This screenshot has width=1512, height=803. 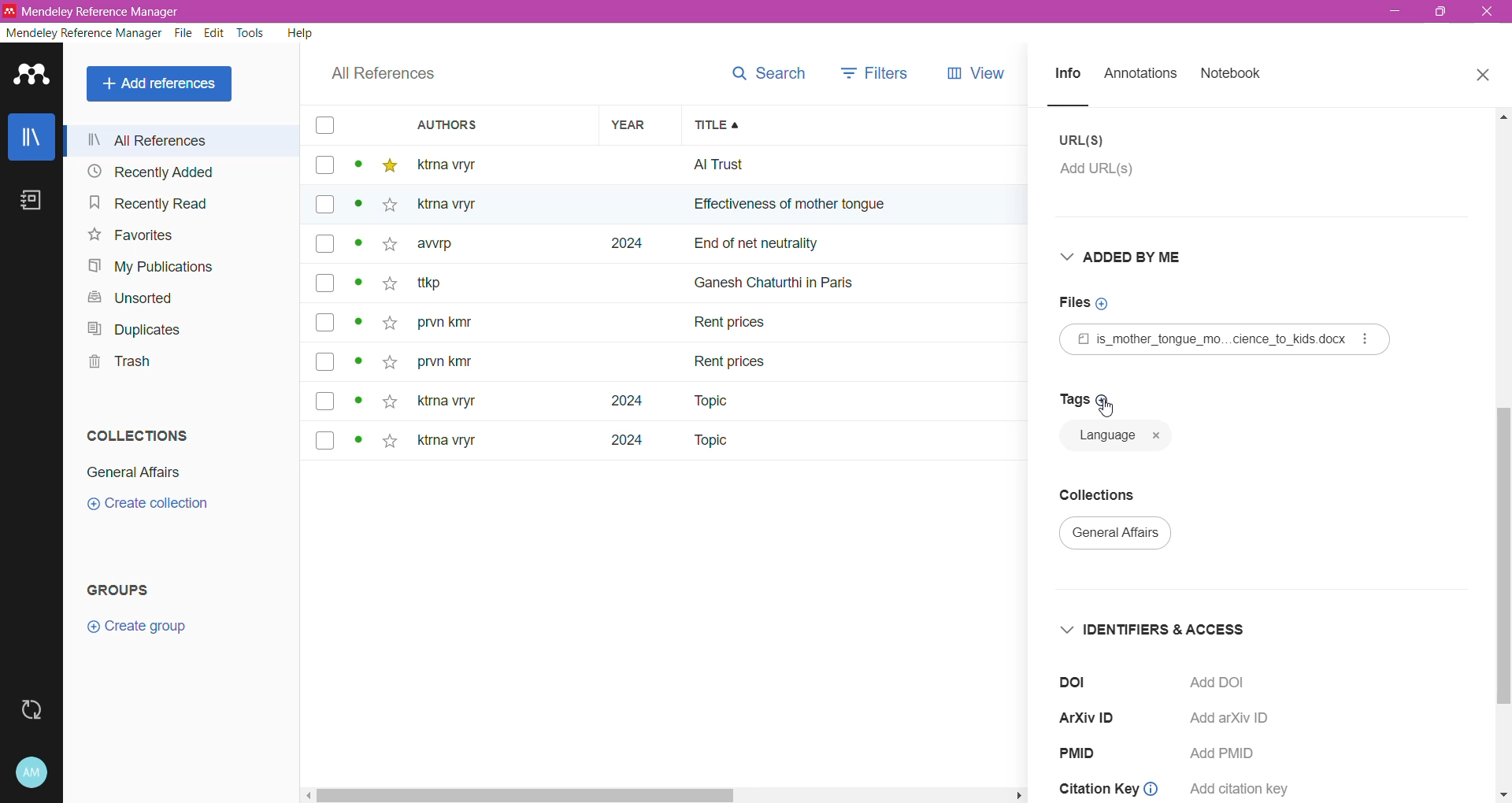 What do you see at coordinates (862, 246) in the screenshot?
I see `end of net neutrally ` at bounding box center [862, 246].